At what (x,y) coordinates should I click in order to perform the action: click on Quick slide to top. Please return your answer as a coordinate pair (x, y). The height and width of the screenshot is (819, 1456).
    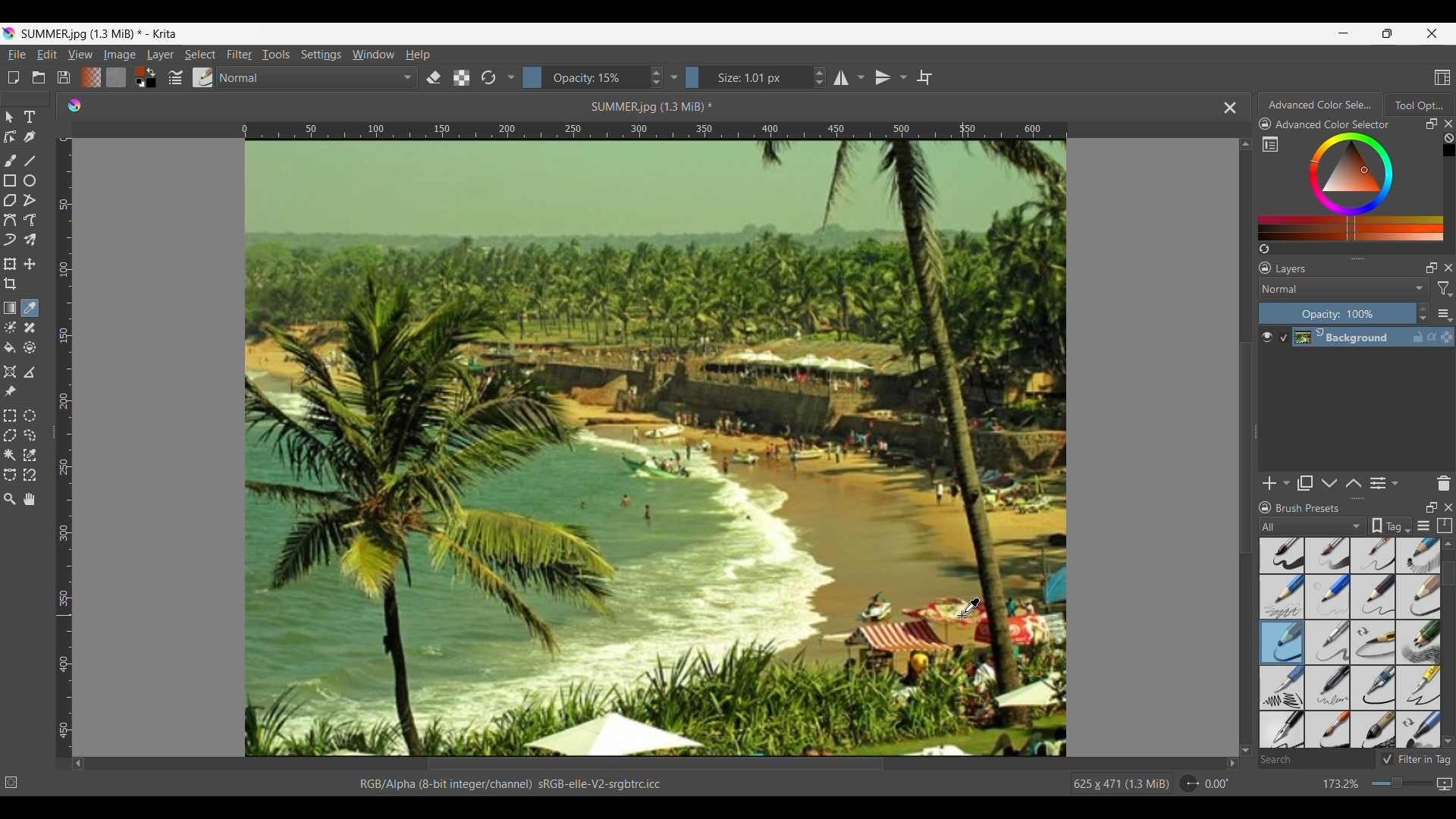
    Looking at the image, I should click on (1448, 544).